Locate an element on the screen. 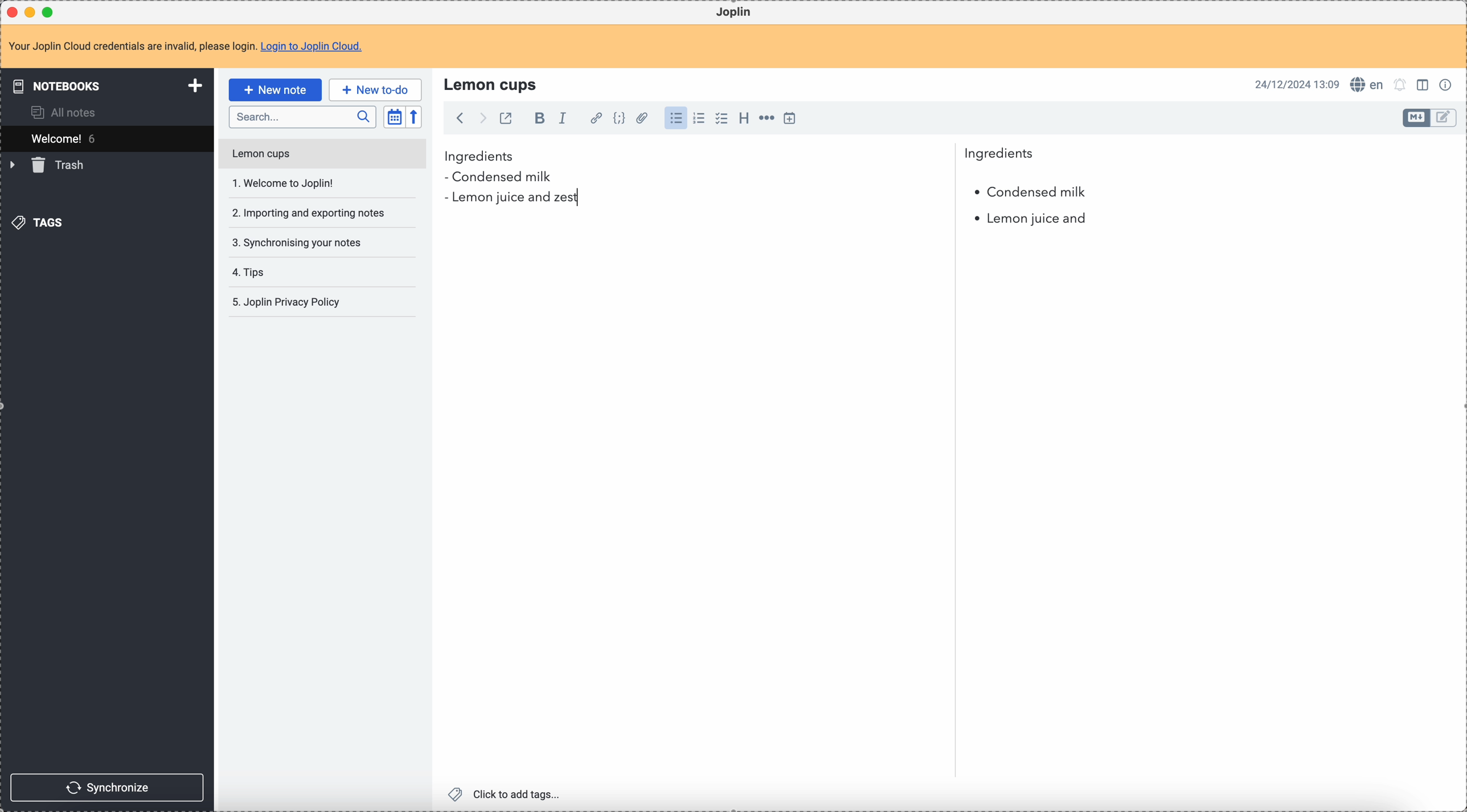 Image resolution: width=1467 pixels, height=812 pixels. lemon cups is located at coordinates (321, 156).